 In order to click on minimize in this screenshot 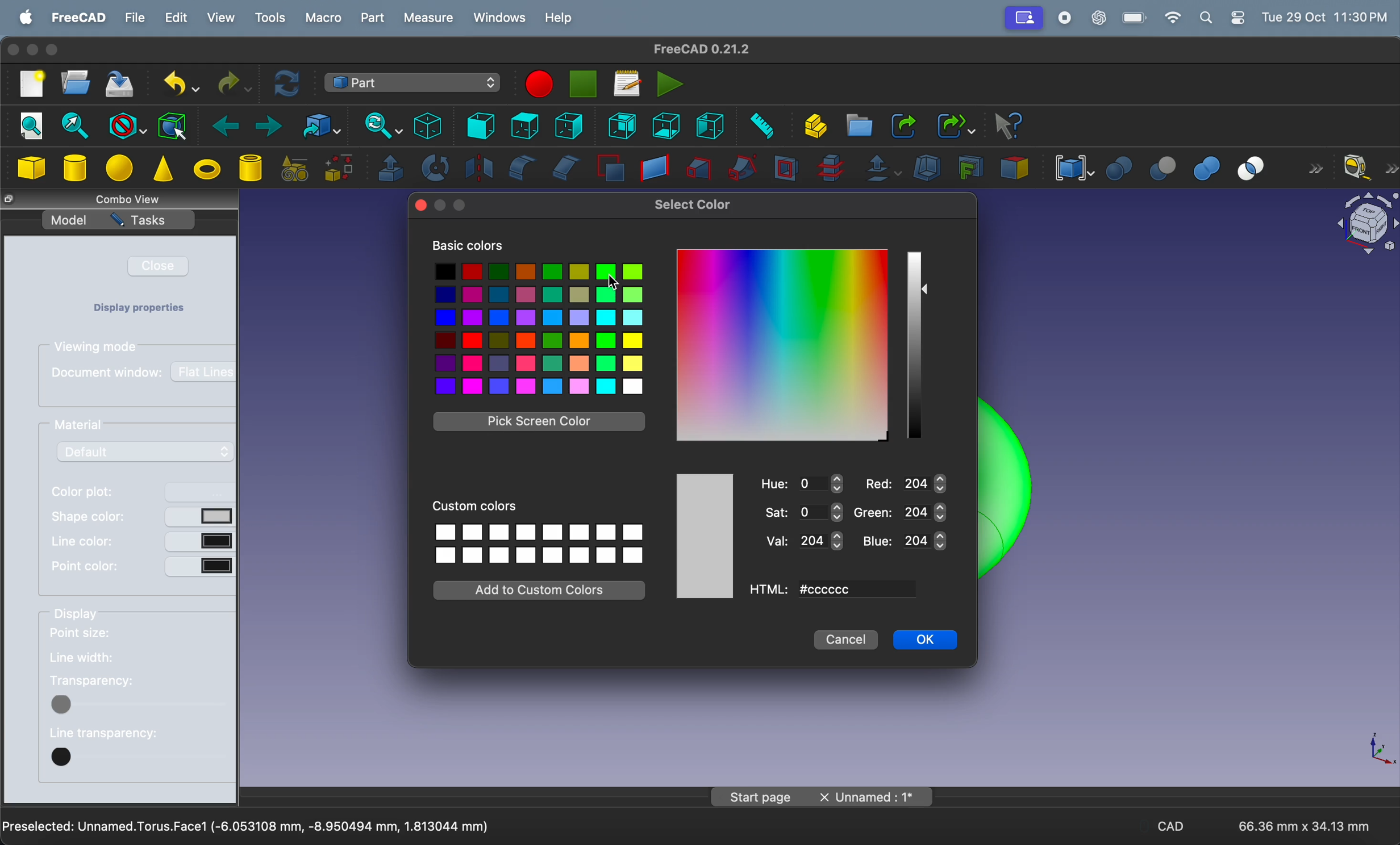, I will do `click(440, 205)`.